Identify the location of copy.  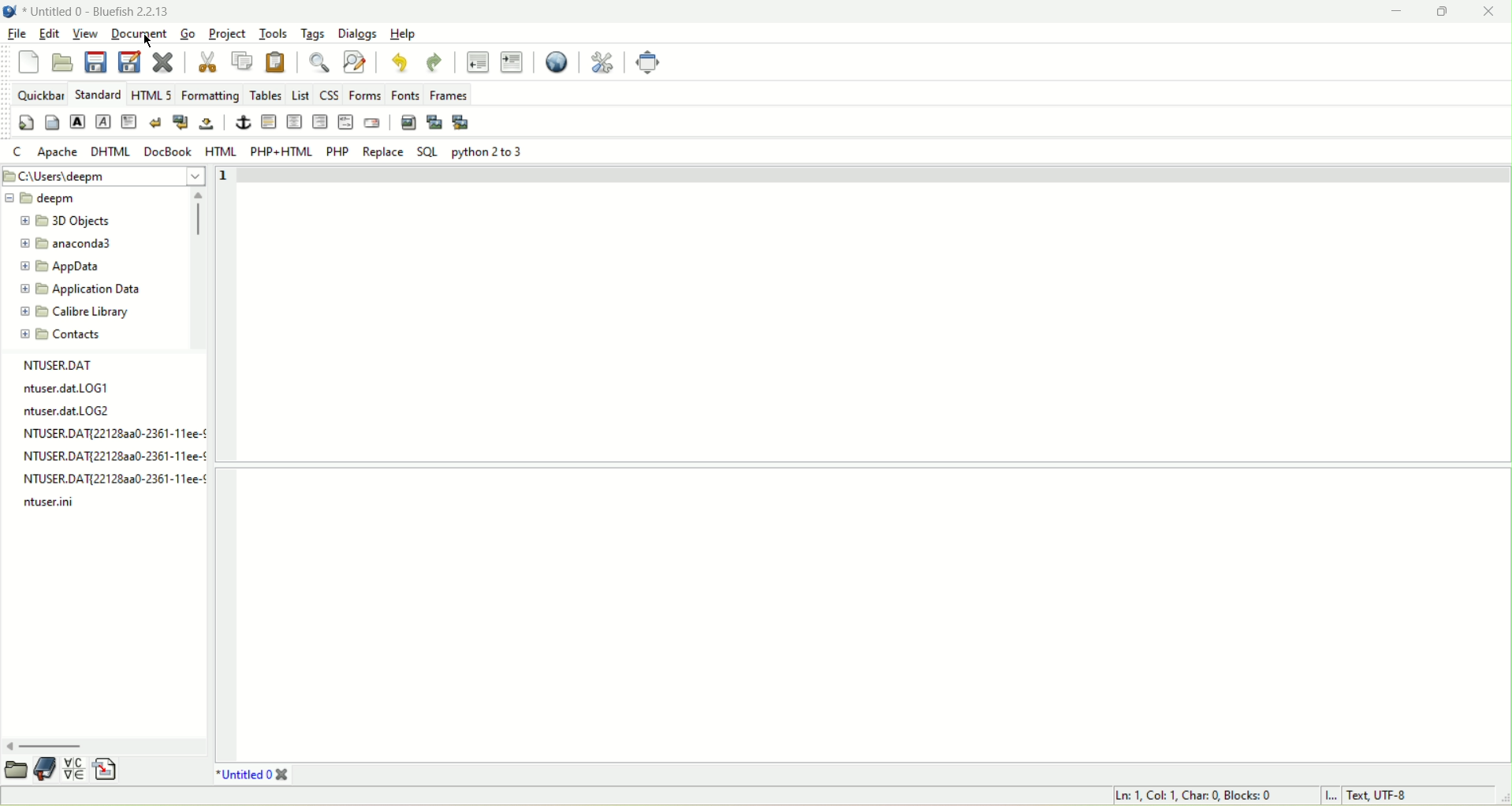
(244, 61).